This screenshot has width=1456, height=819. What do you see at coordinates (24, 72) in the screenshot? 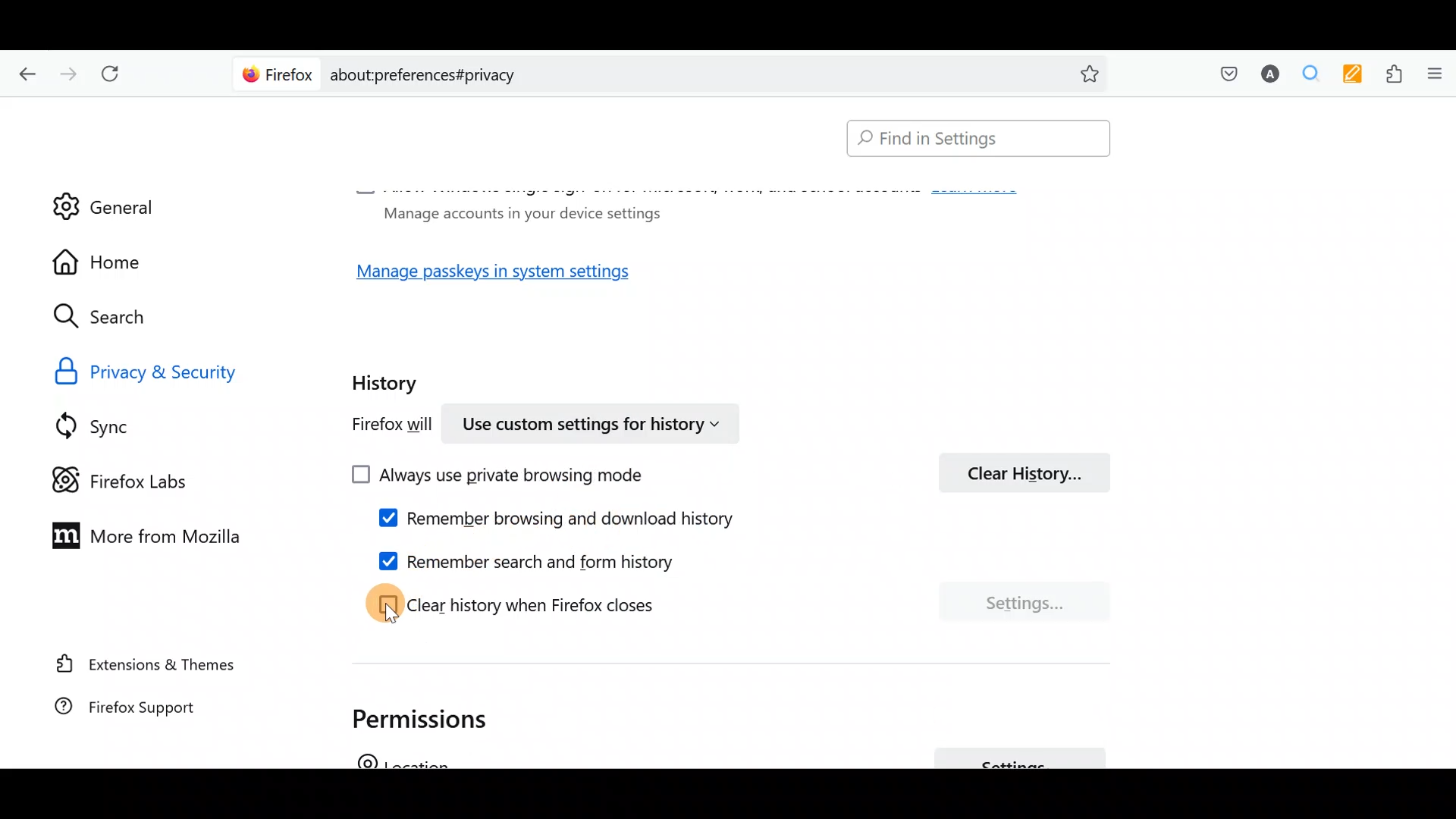
I see `Go back one page` at bounding box center [24, 72].